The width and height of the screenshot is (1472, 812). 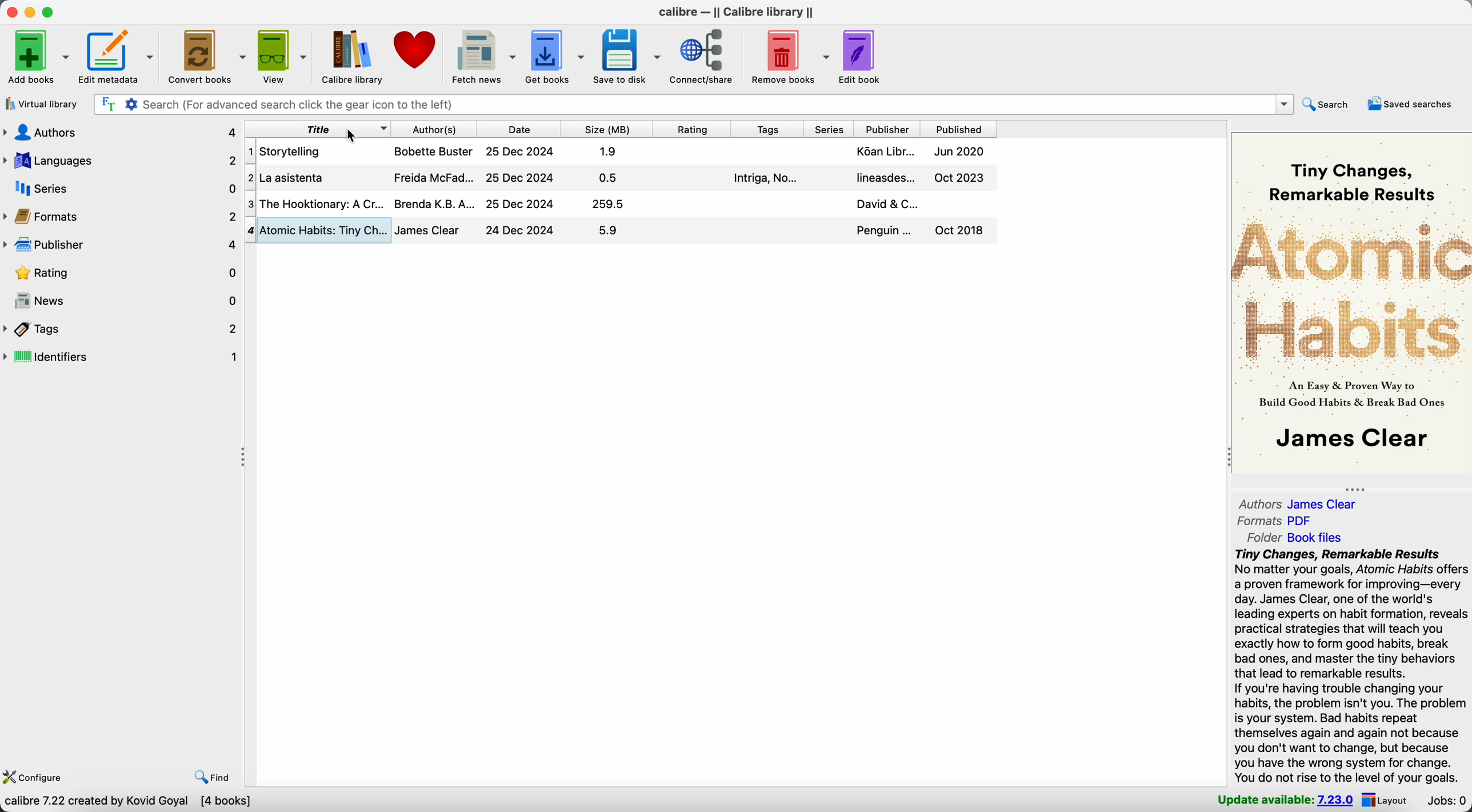 I want to click on penguin..., so click(x=885, y=230).